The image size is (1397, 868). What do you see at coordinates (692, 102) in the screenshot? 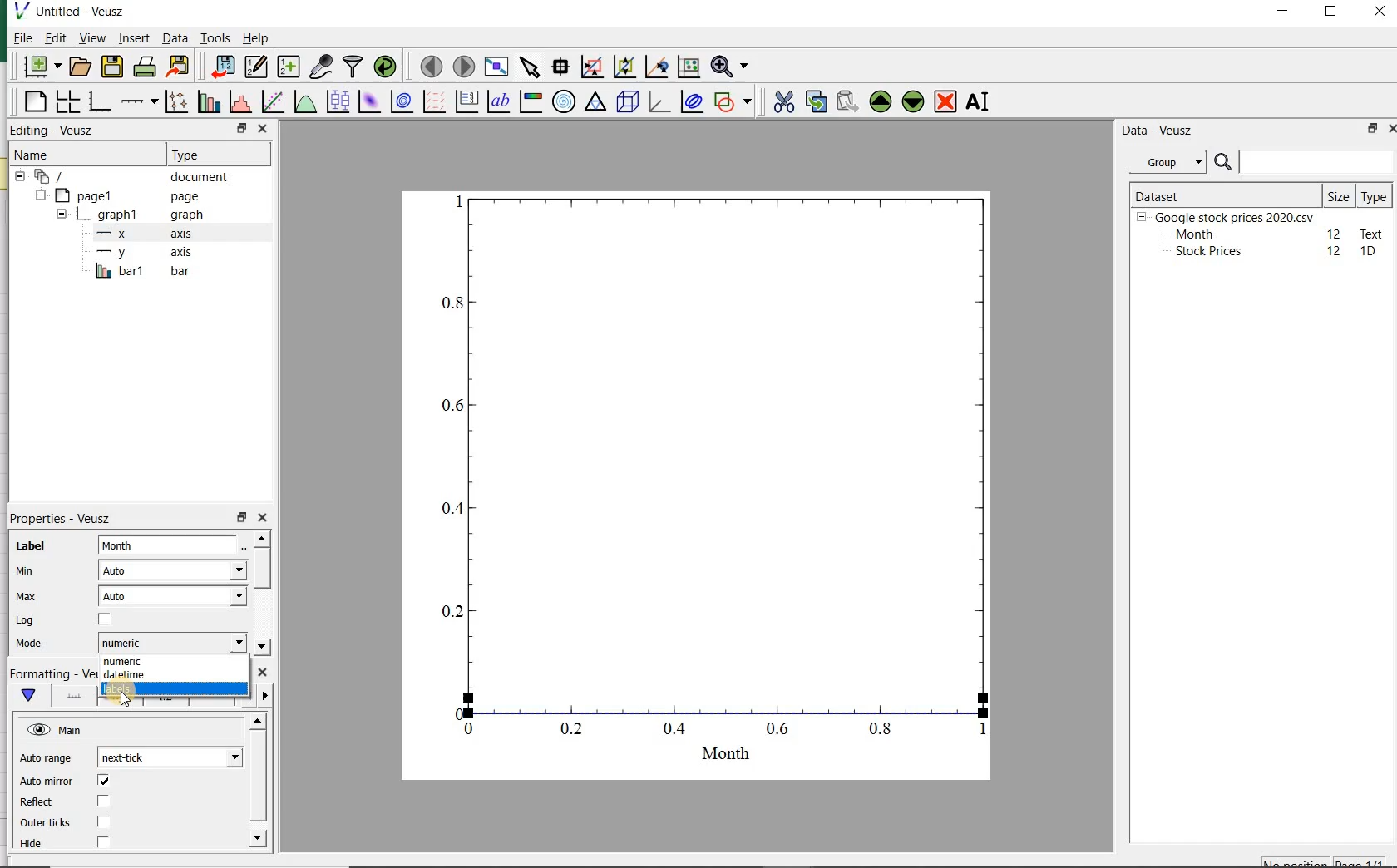
I see `plot covariance ellipses` at bounding box center [692, 102].